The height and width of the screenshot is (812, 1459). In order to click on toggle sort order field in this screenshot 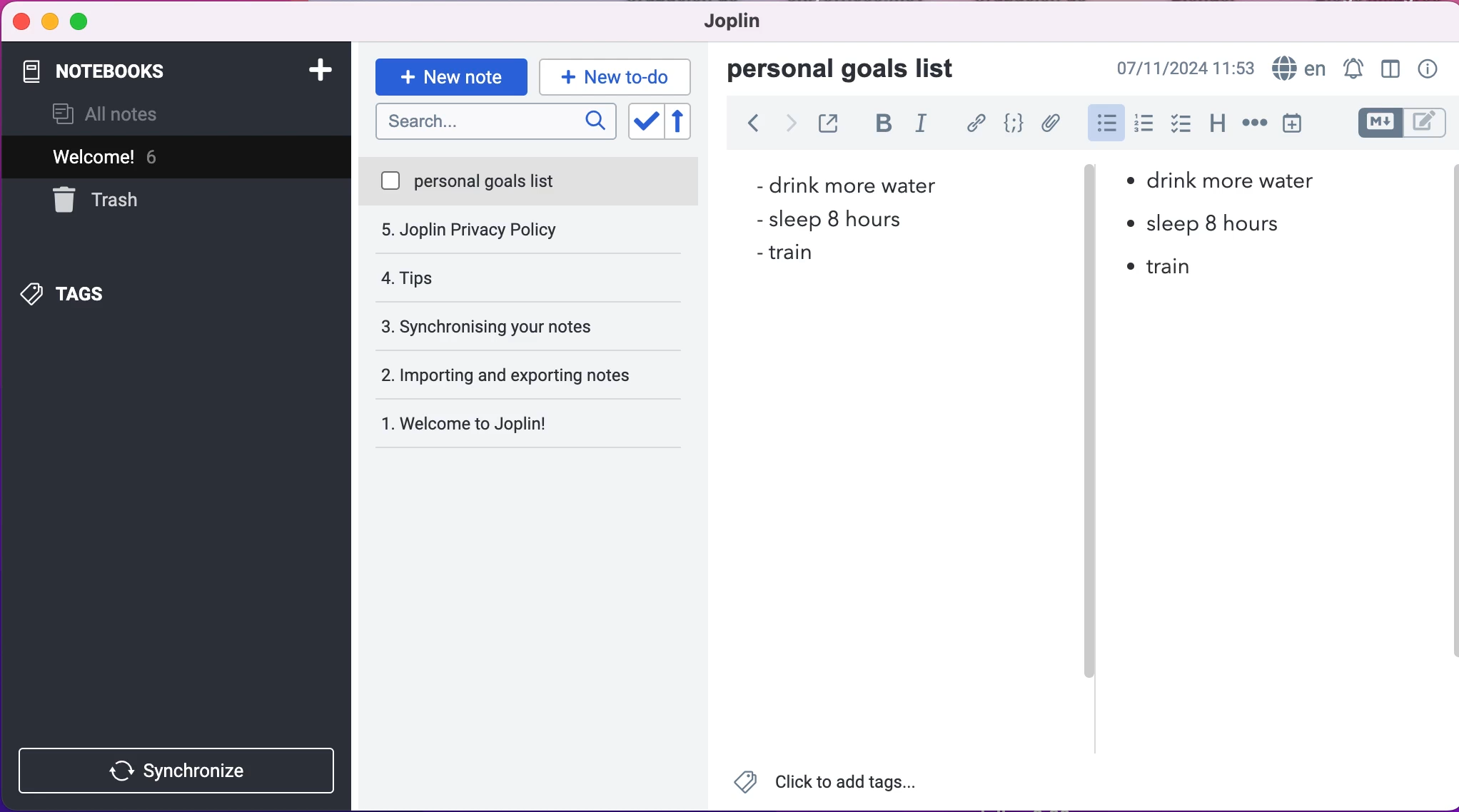, I will do `click(644, 122)`.